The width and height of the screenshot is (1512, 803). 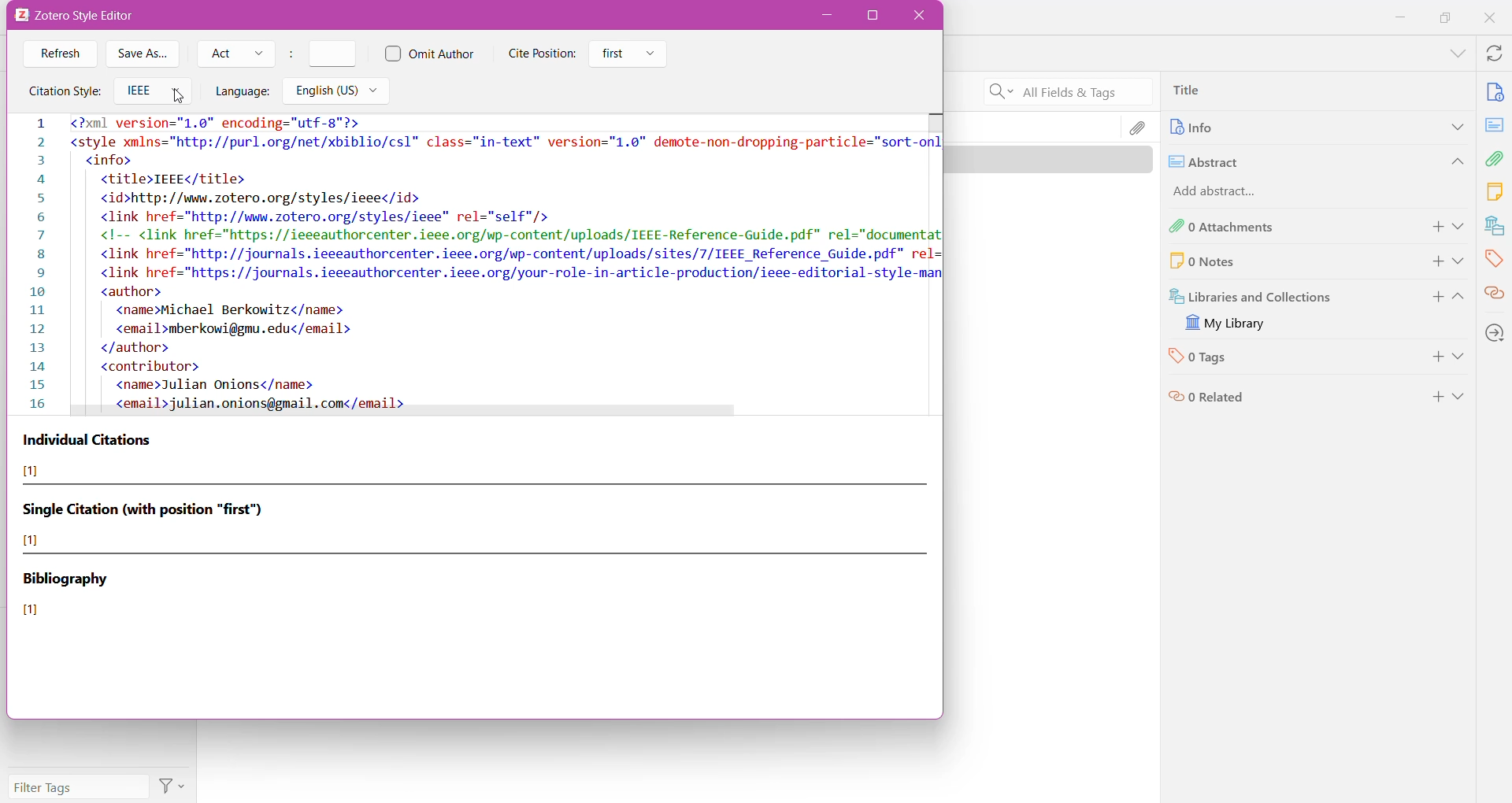 I want to click on Current Citation Style, so click(x=475, y=260).